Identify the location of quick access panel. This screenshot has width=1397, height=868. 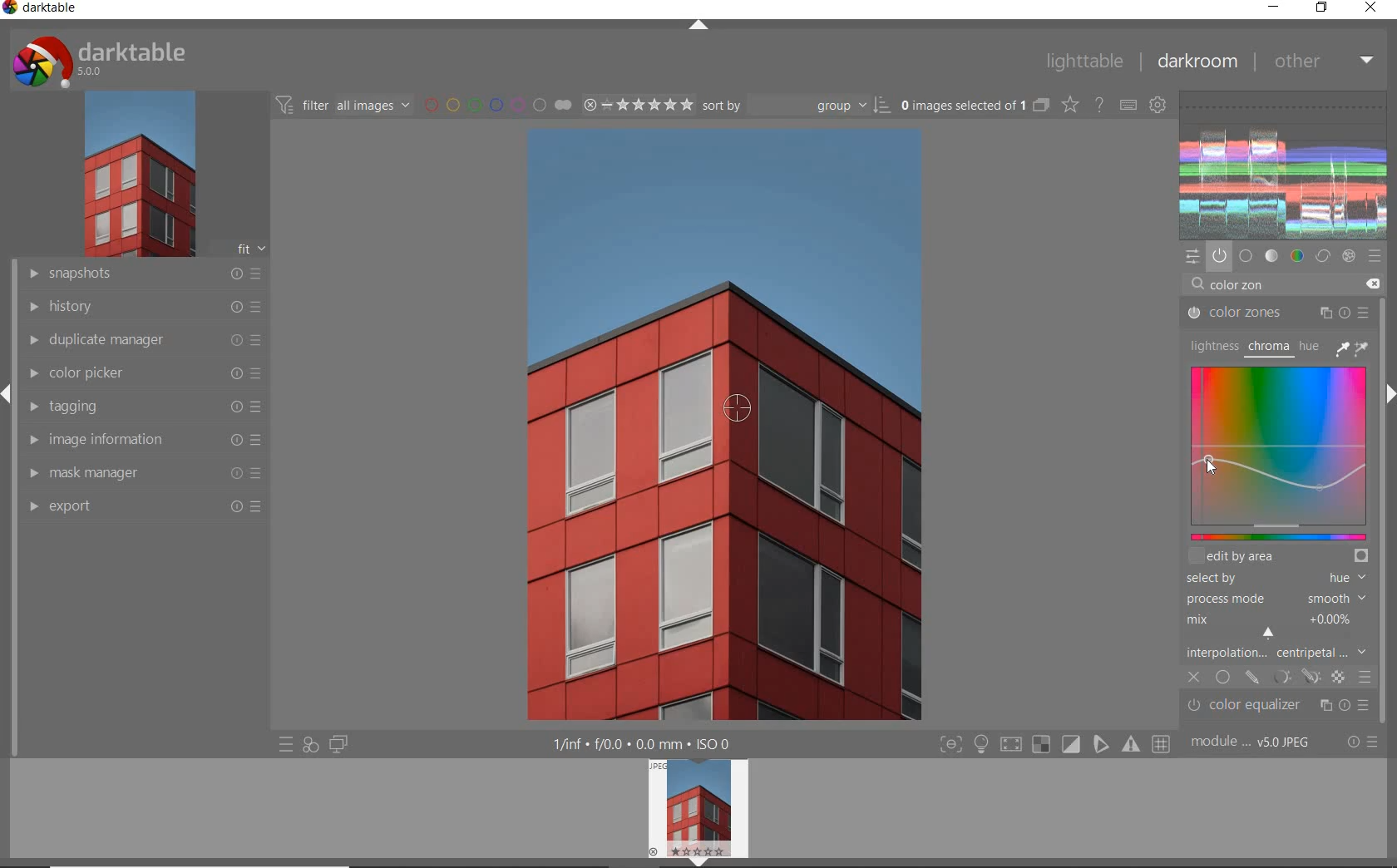
(1193, 257).